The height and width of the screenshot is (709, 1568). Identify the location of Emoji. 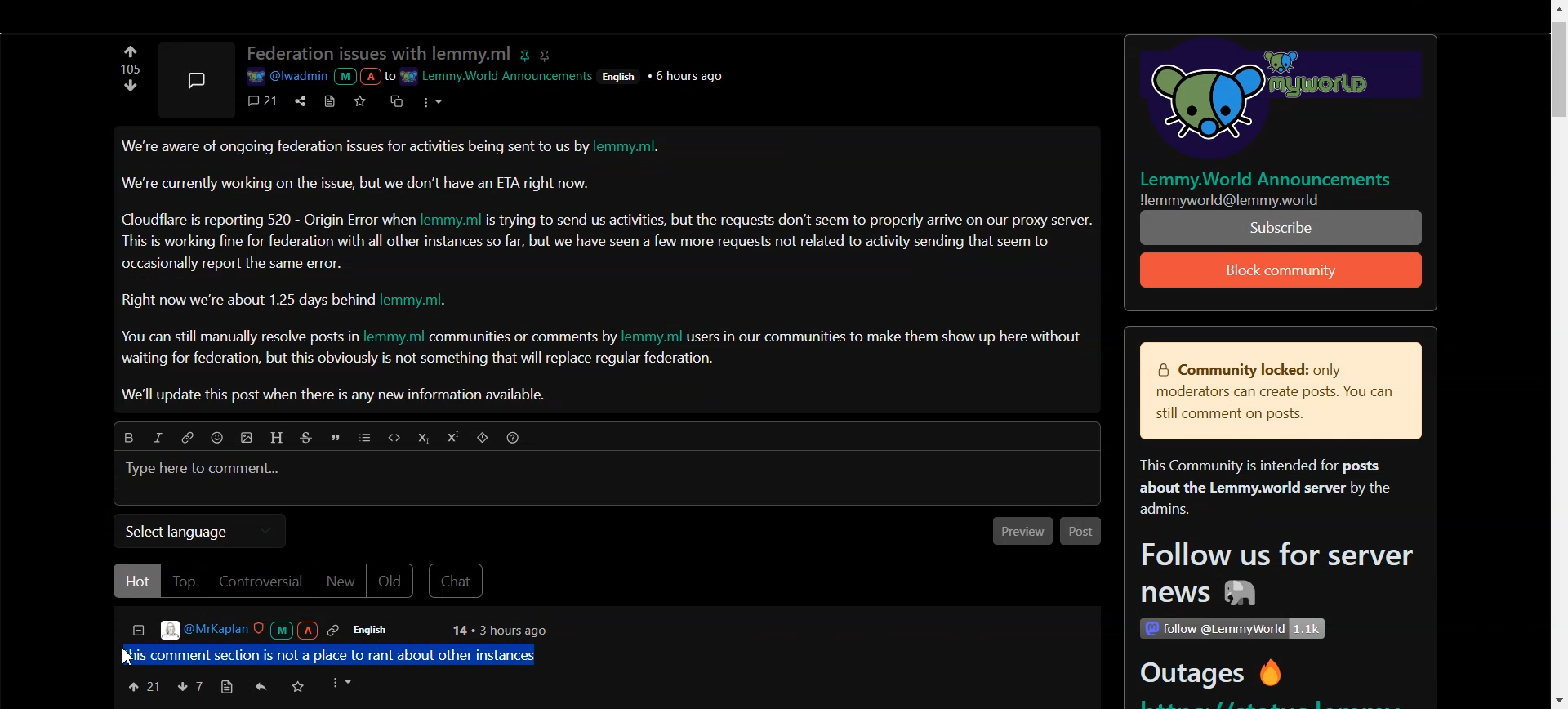
(221, 439).